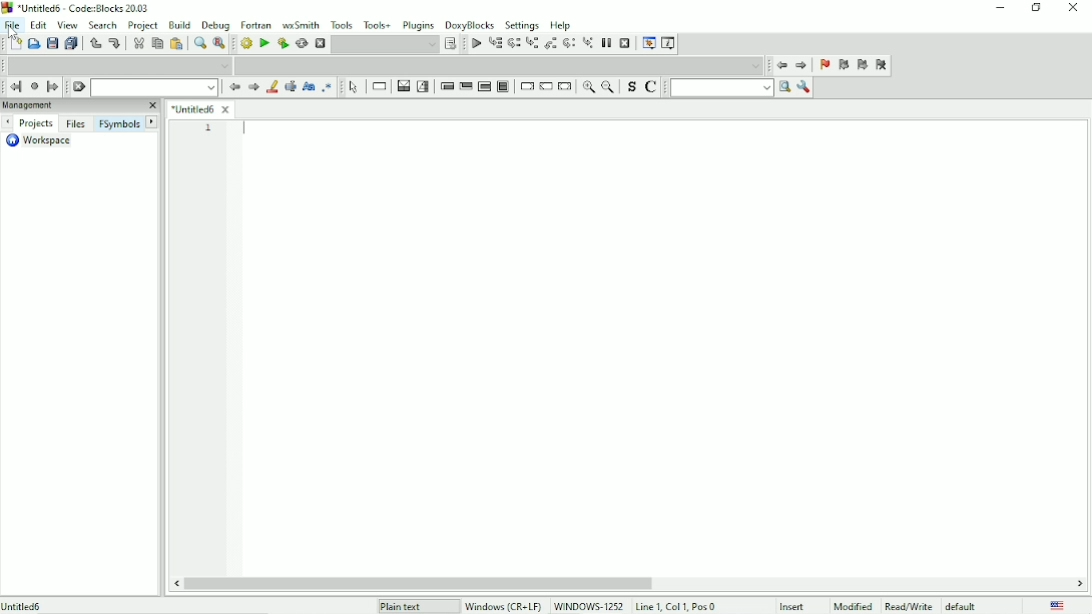  What do you see at coordinates (590, 88) in the screenshot?
I see `Zoom in` at bounding box center [590, 88].